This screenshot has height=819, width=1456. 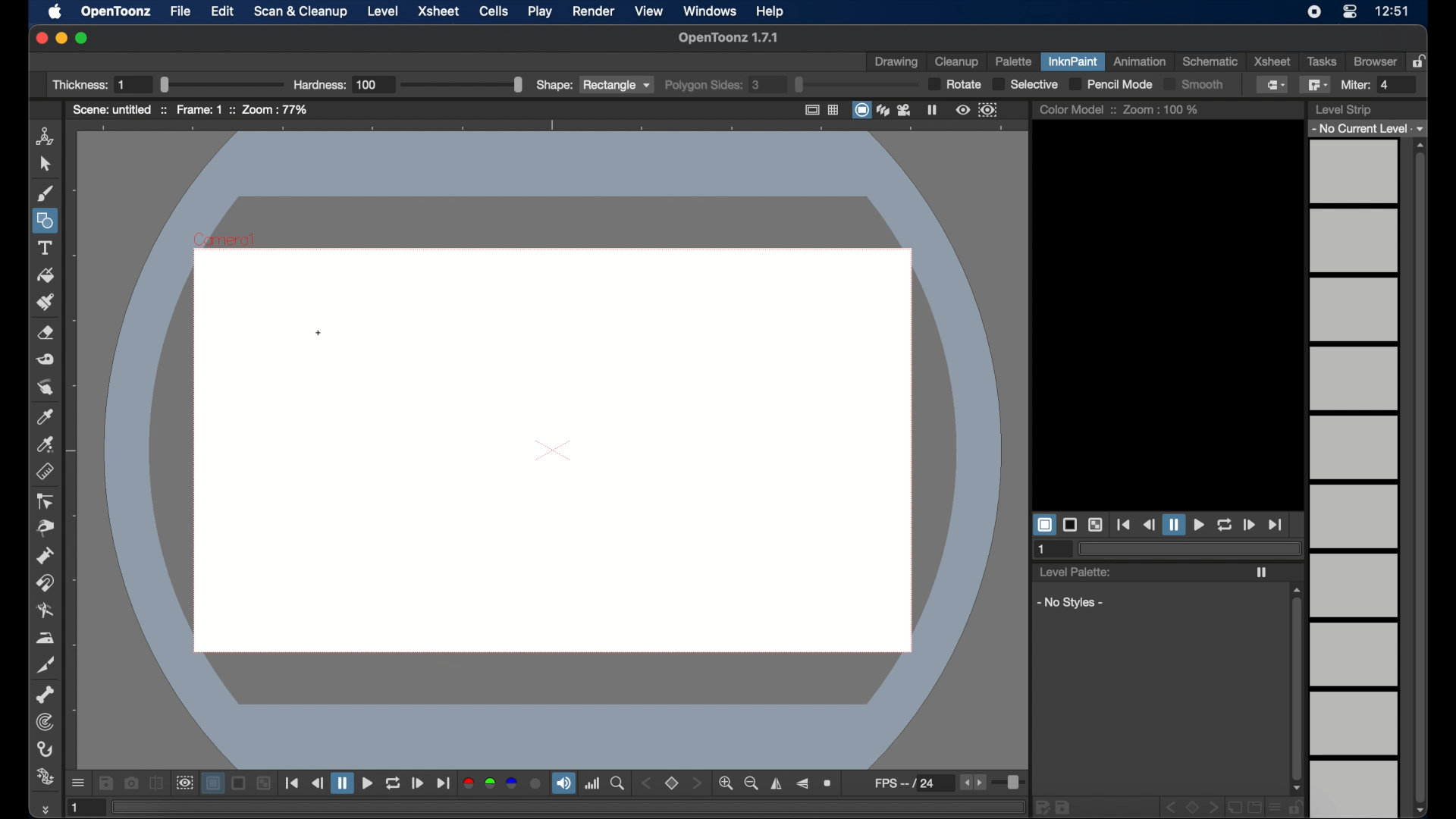 I want to click on control center, so click(x=1350, y=12).